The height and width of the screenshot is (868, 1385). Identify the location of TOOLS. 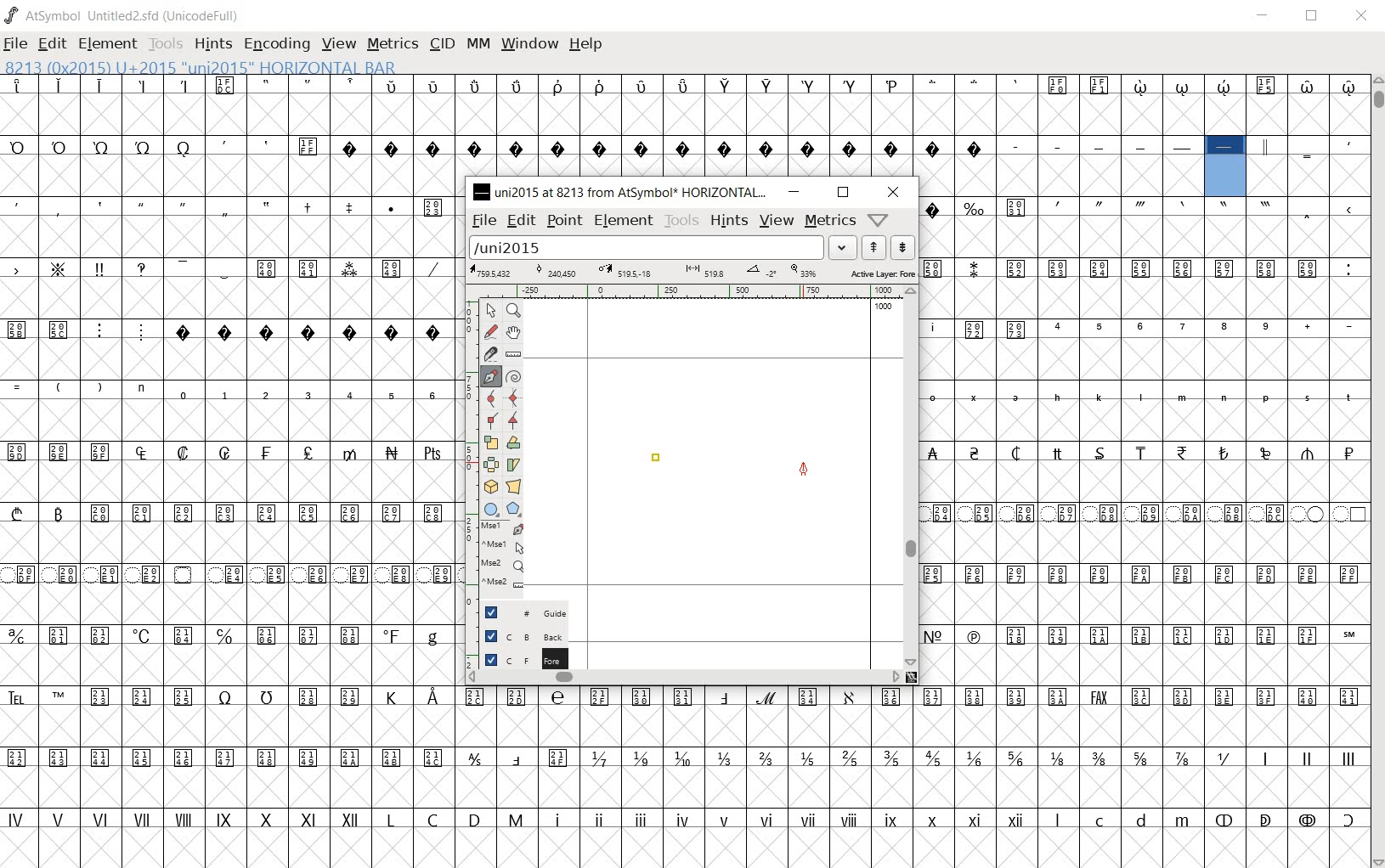
(168, 45).